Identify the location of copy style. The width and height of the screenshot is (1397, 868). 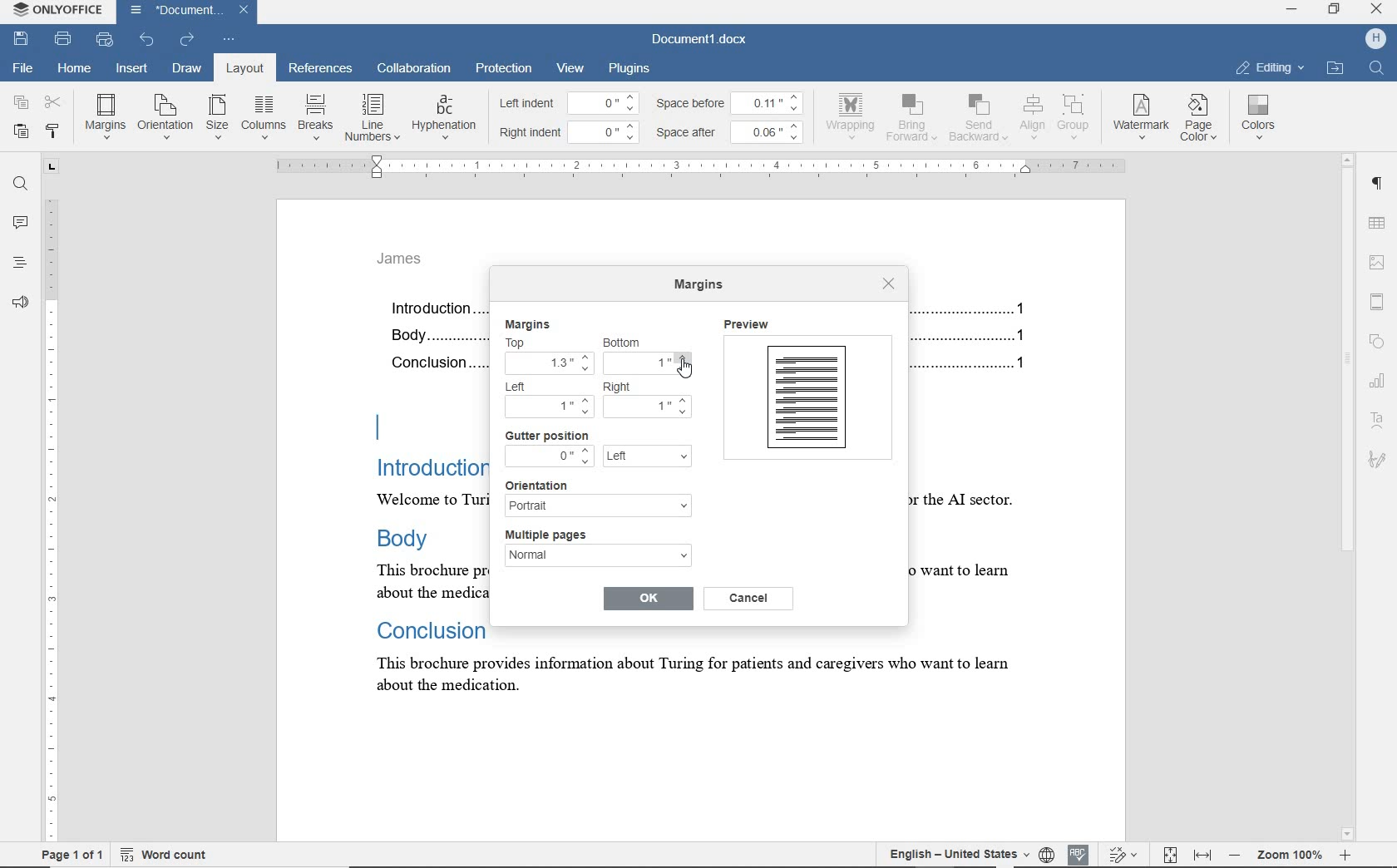
(53, 132).